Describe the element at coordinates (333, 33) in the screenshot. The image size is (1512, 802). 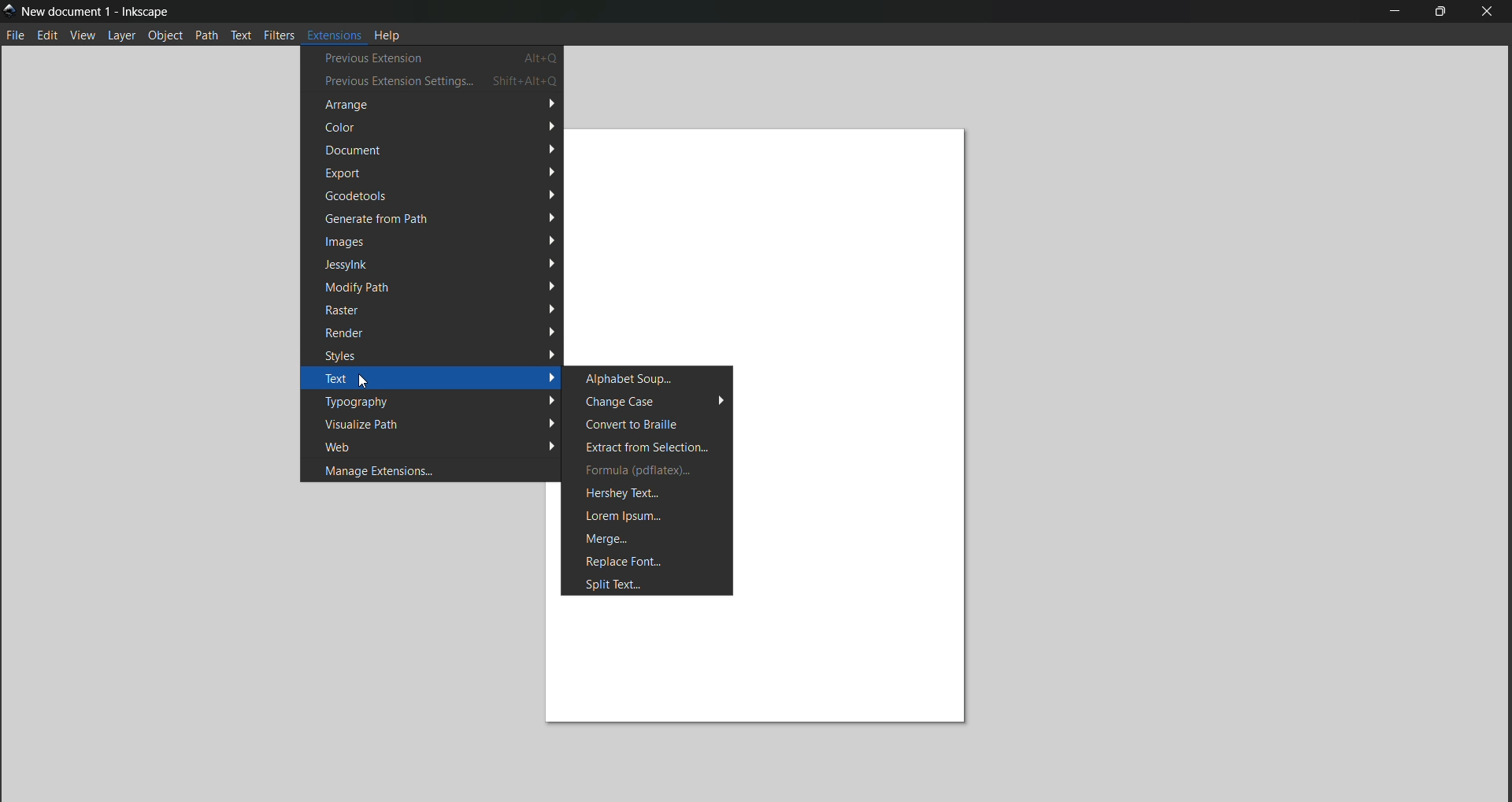
I see `extensions` at that location.